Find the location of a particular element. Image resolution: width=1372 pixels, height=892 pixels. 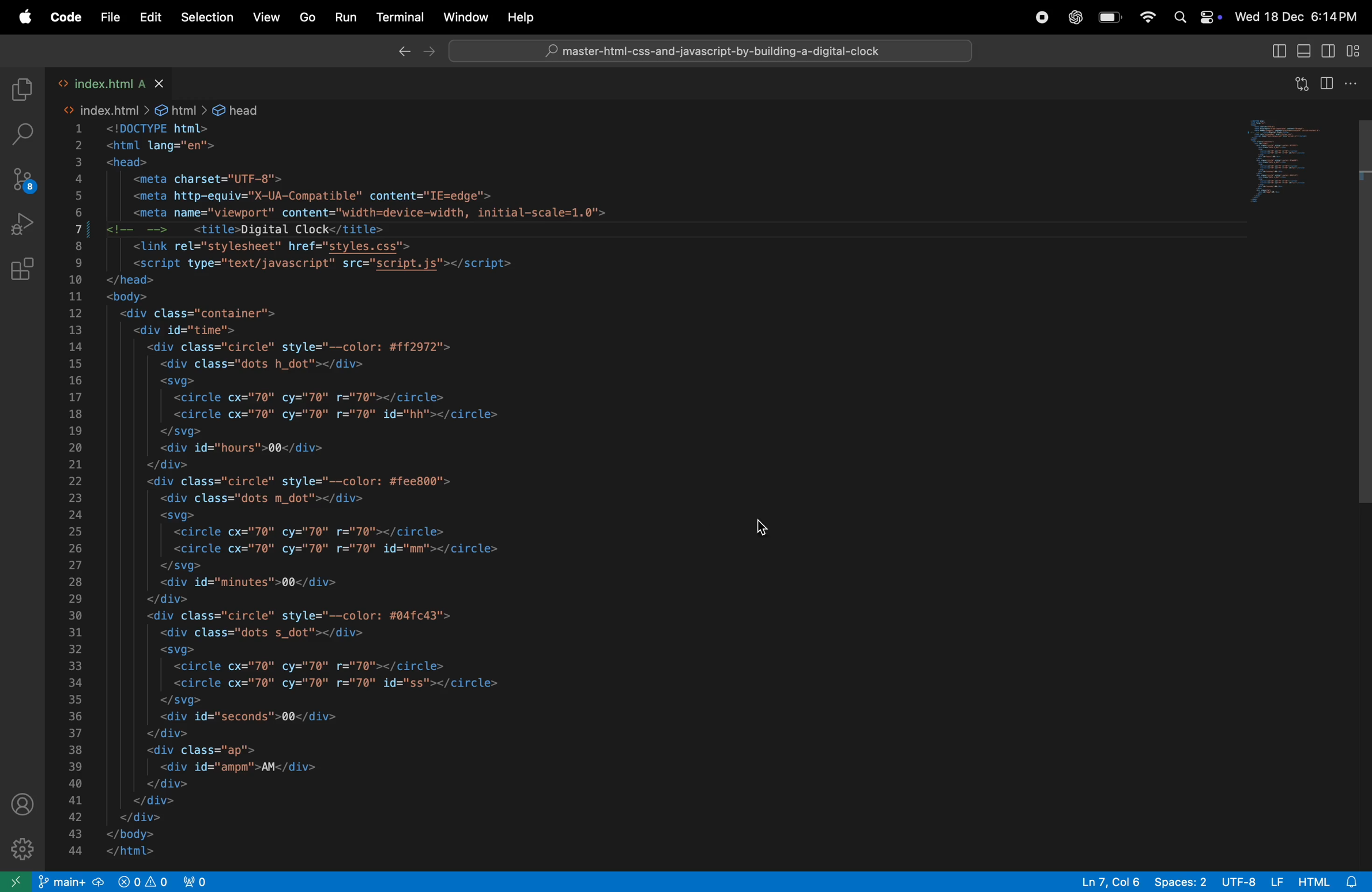

mazimize is located at coordinates (49, 49).